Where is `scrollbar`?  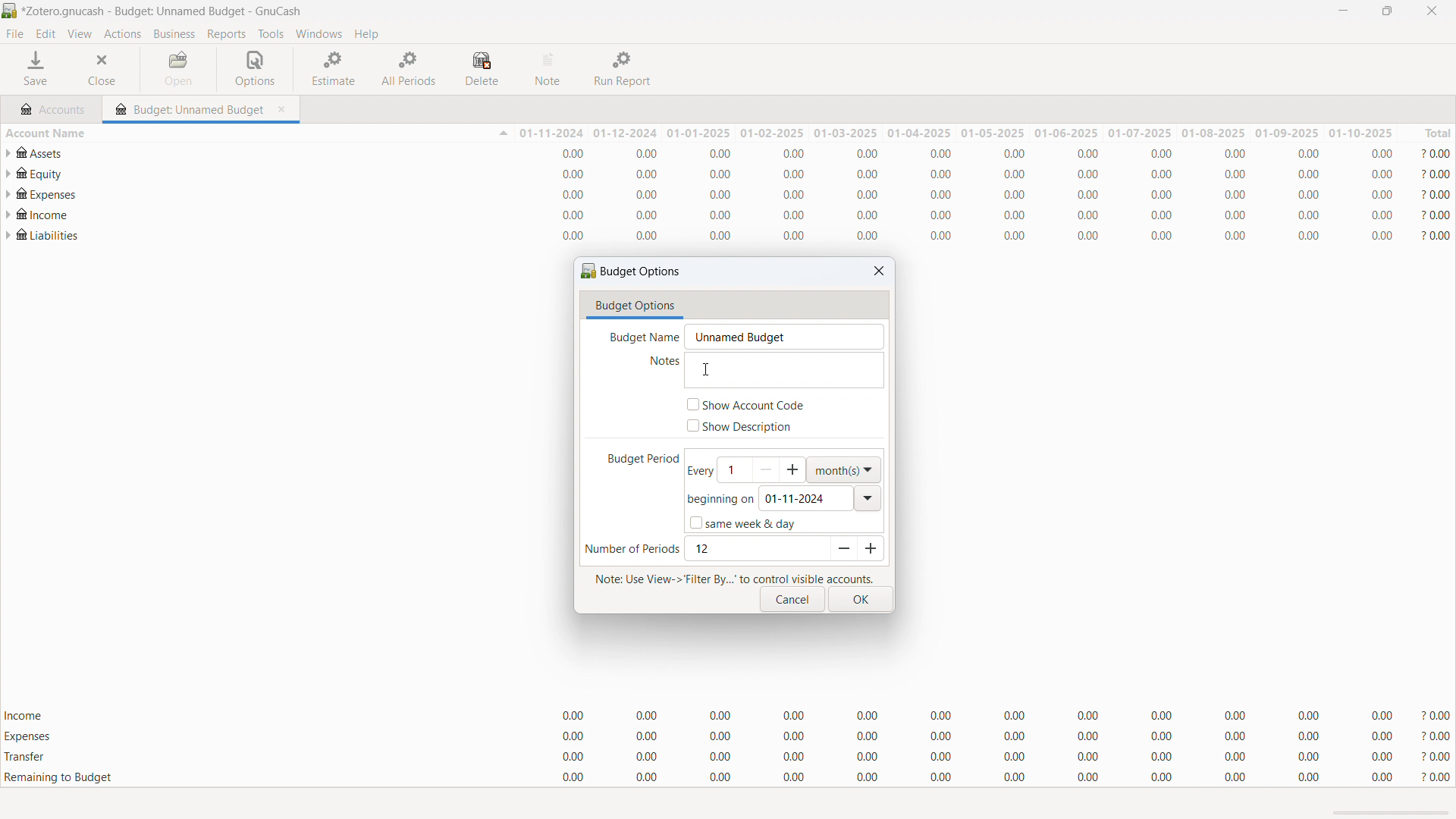
scrollbar is located at coordinates (1392, 814).